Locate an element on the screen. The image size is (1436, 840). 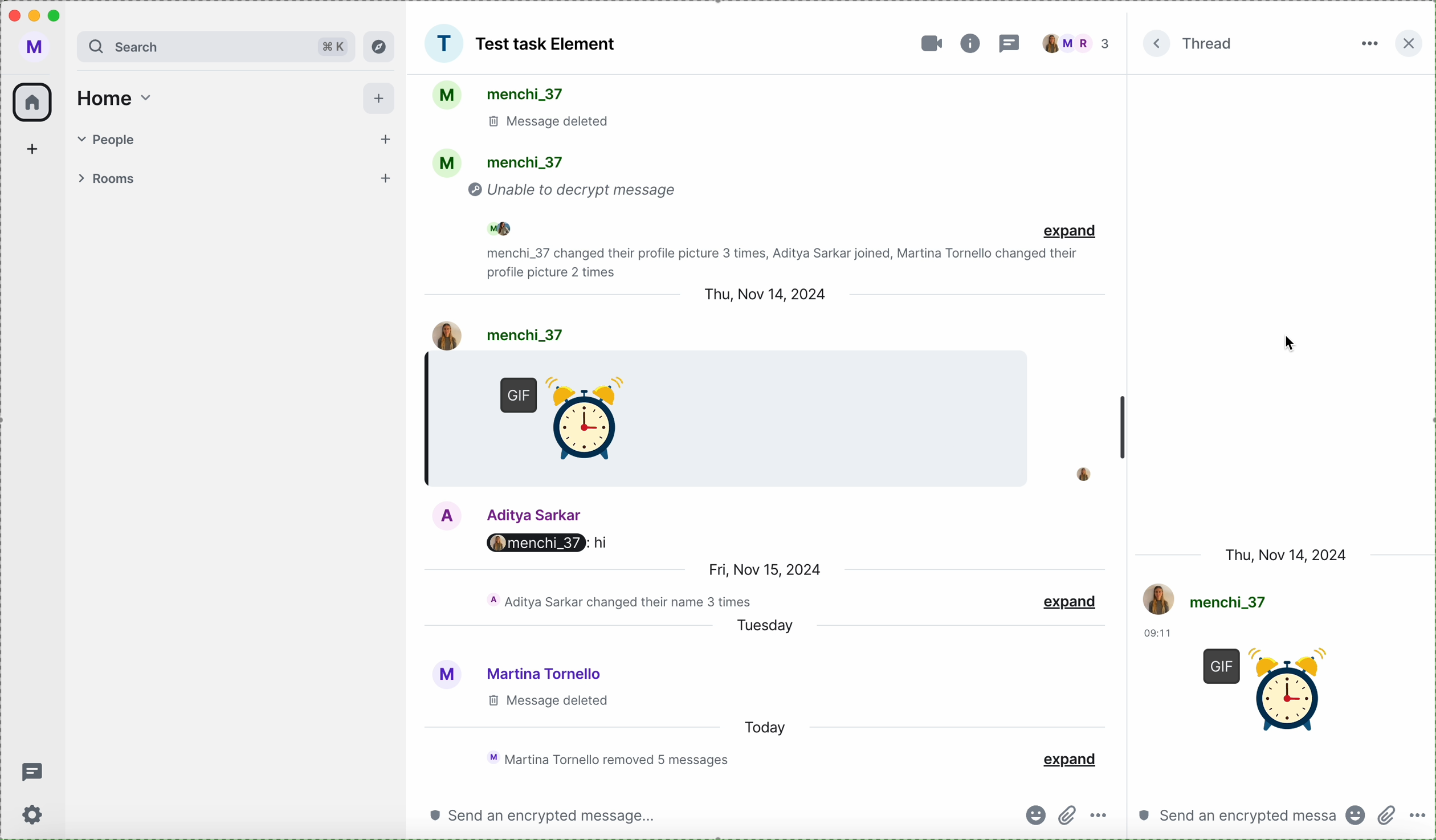
attach file is located at coordinates (1386, 816).